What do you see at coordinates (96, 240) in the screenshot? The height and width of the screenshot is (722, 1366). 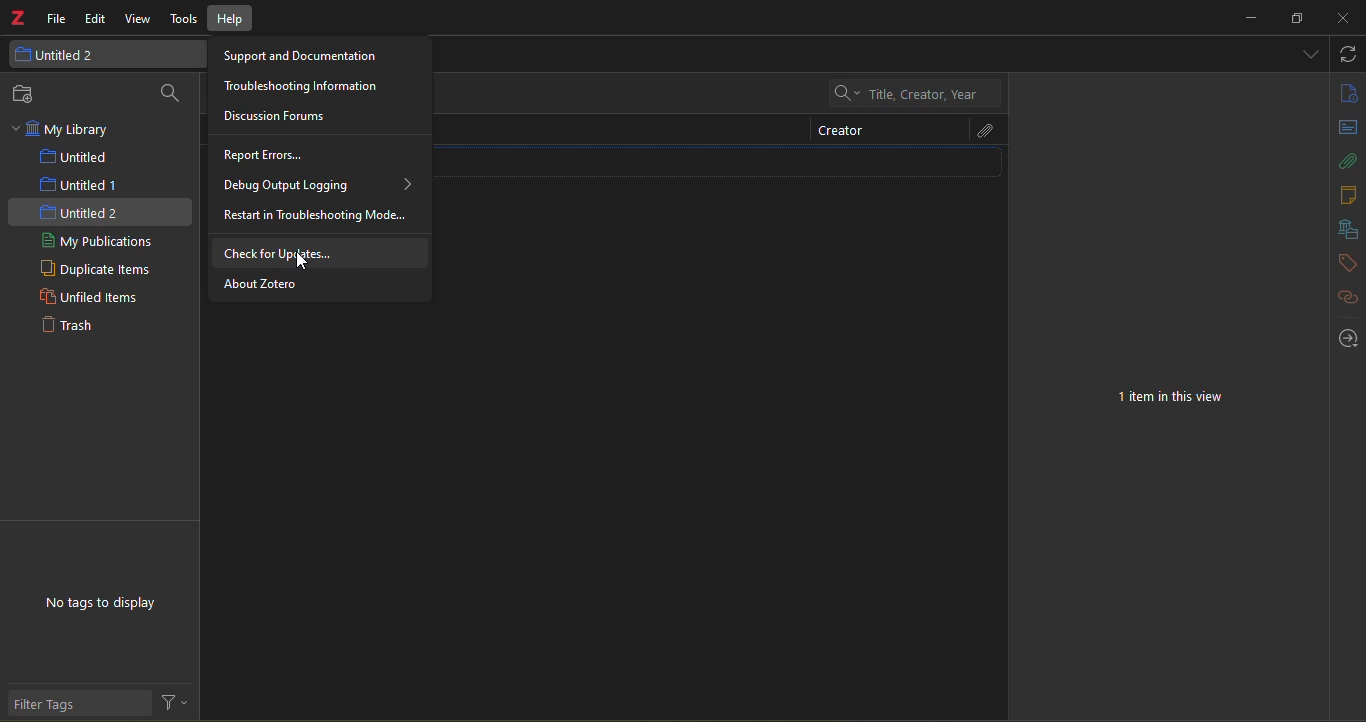 I see `my publications` at bounding box center [96, 240].